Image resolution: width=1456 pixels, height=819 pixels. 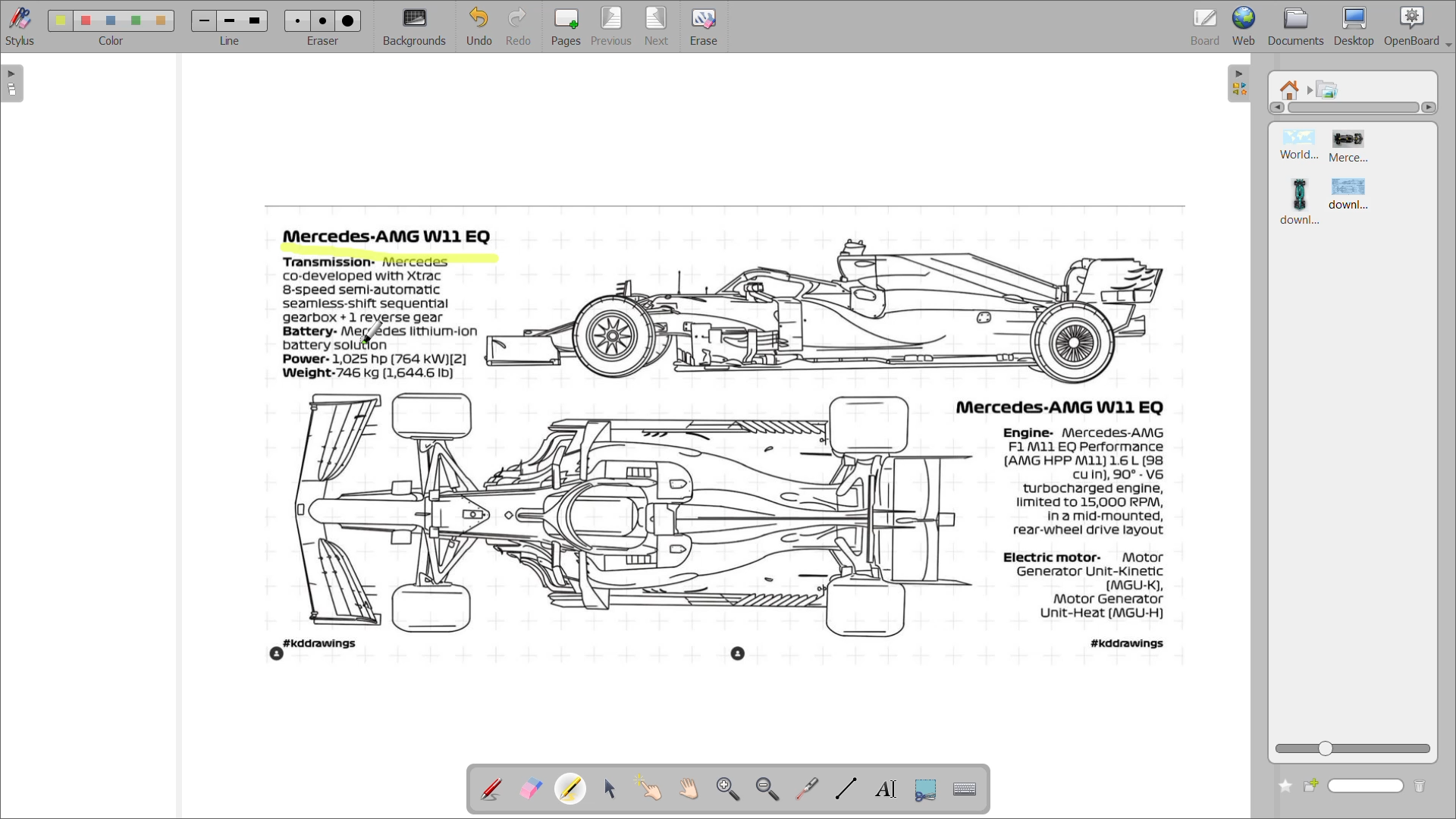 What do you see at coordinates (727, 432) in the screenshot?
I see `image` at bounding box center [727, 432].